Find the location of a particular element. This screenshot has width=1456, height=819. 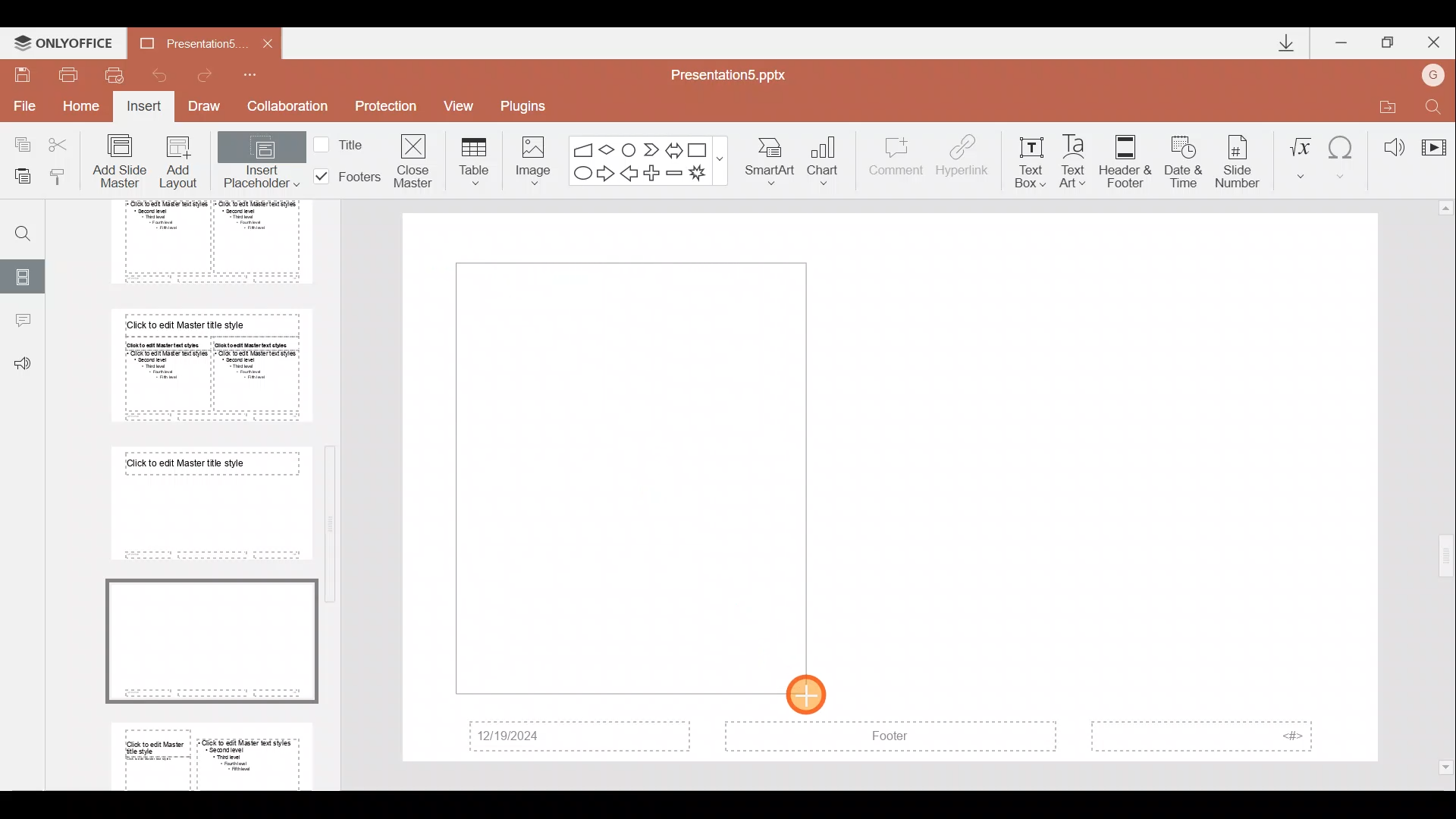

Video is located at coordinates (1433, 140).